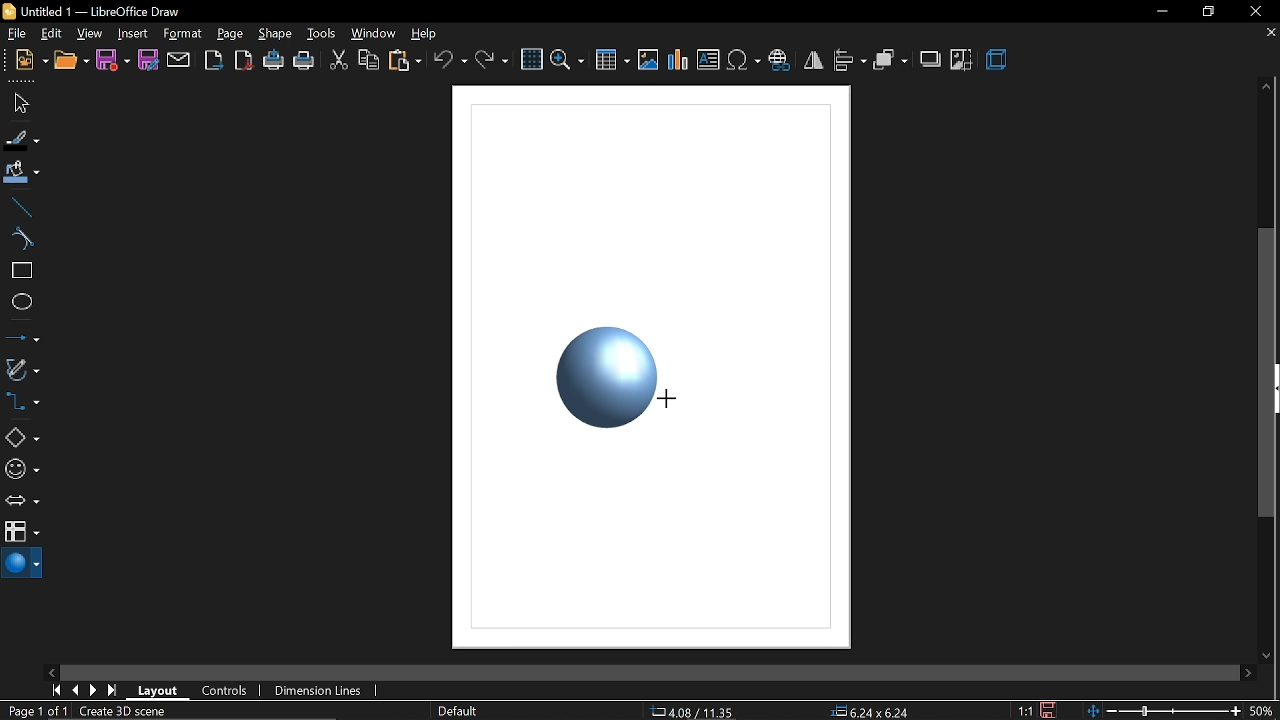  I want to click on previous page, so click(77, 690).